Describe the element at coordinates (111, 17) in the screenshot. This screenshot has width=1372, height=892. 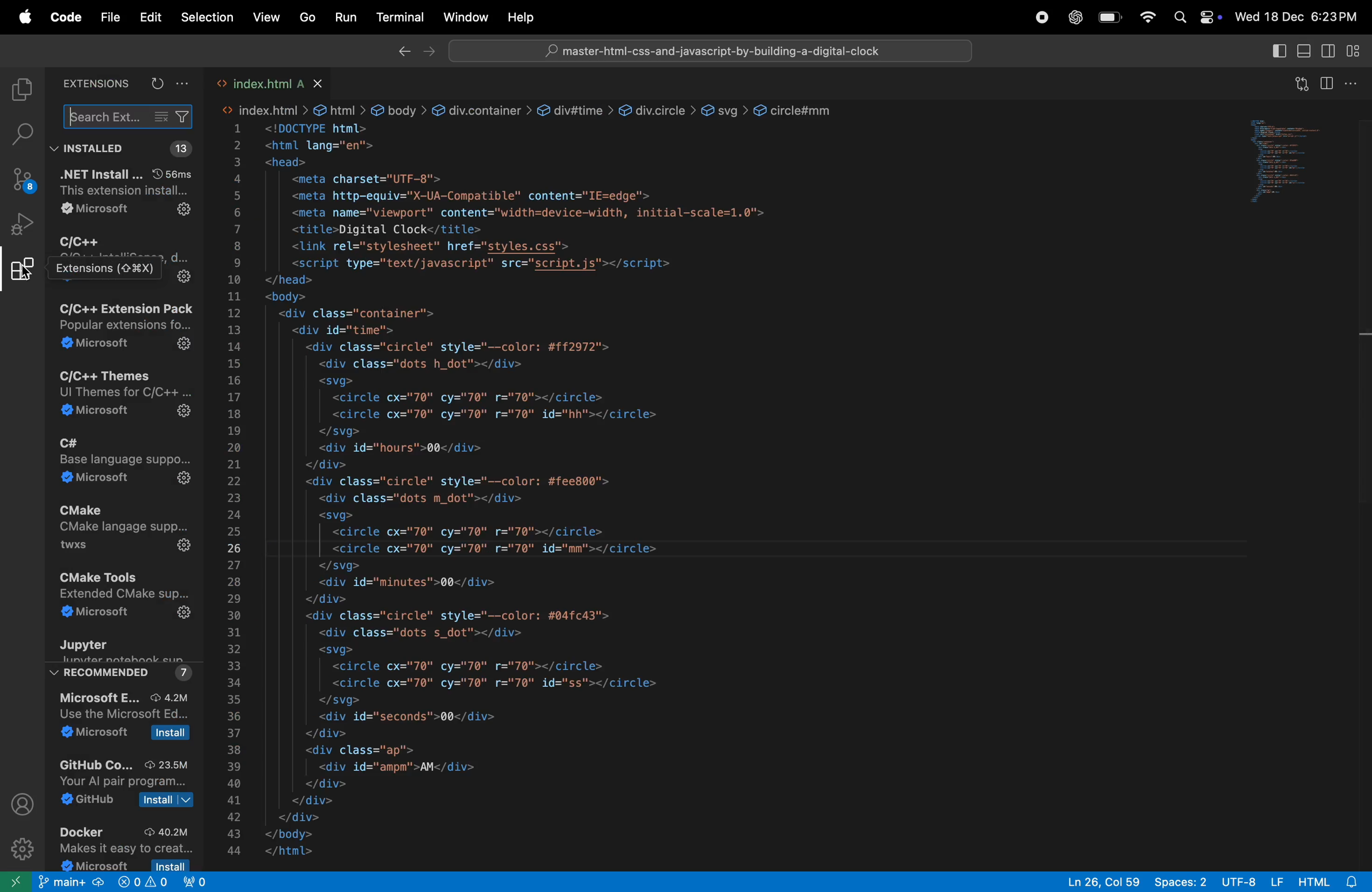
I see `file` at that location.